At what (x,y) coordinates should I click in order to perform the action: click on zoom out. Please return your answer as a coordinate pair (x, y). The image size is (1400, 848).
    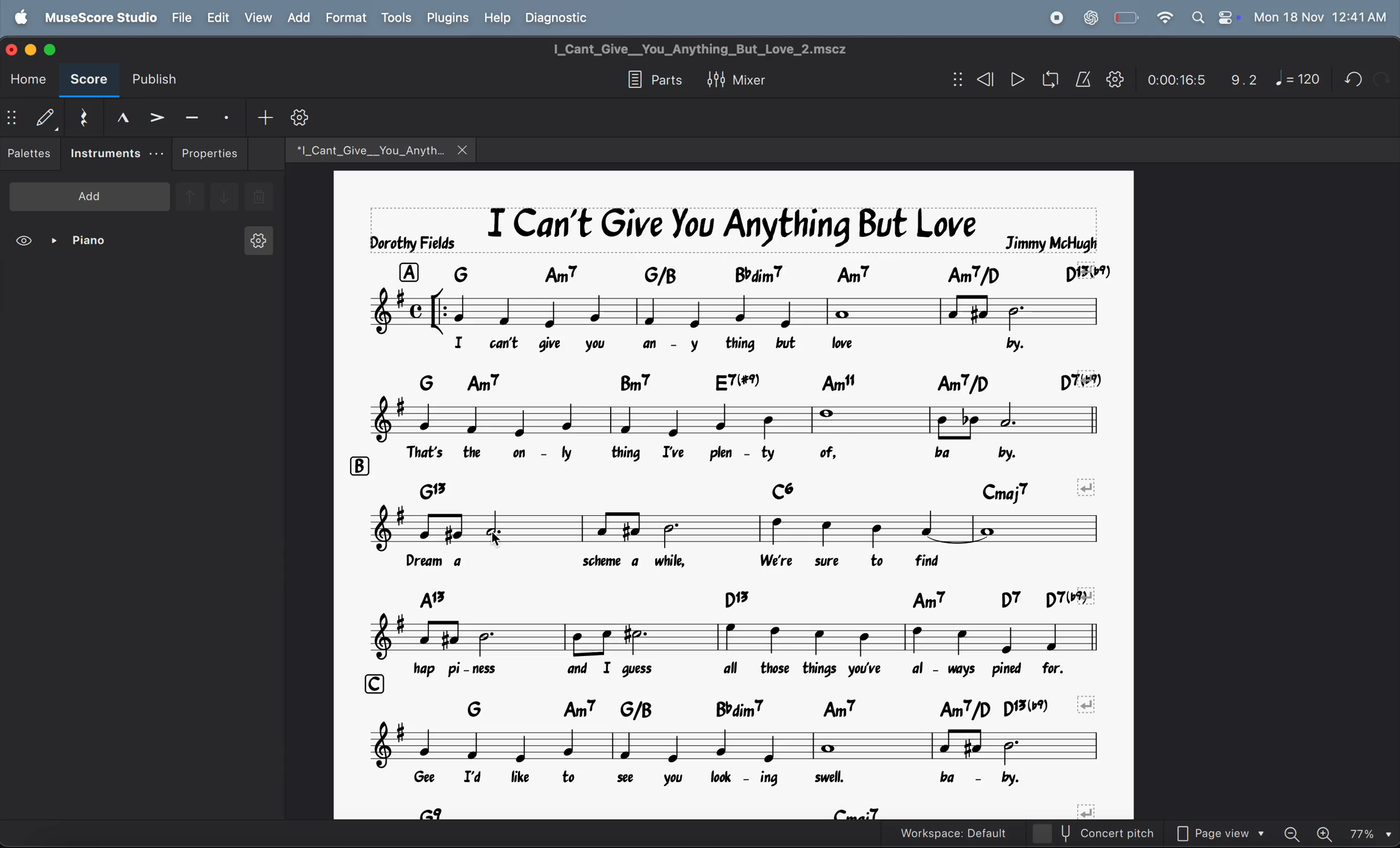
    Looking at the image, I should click on (1293, 832).